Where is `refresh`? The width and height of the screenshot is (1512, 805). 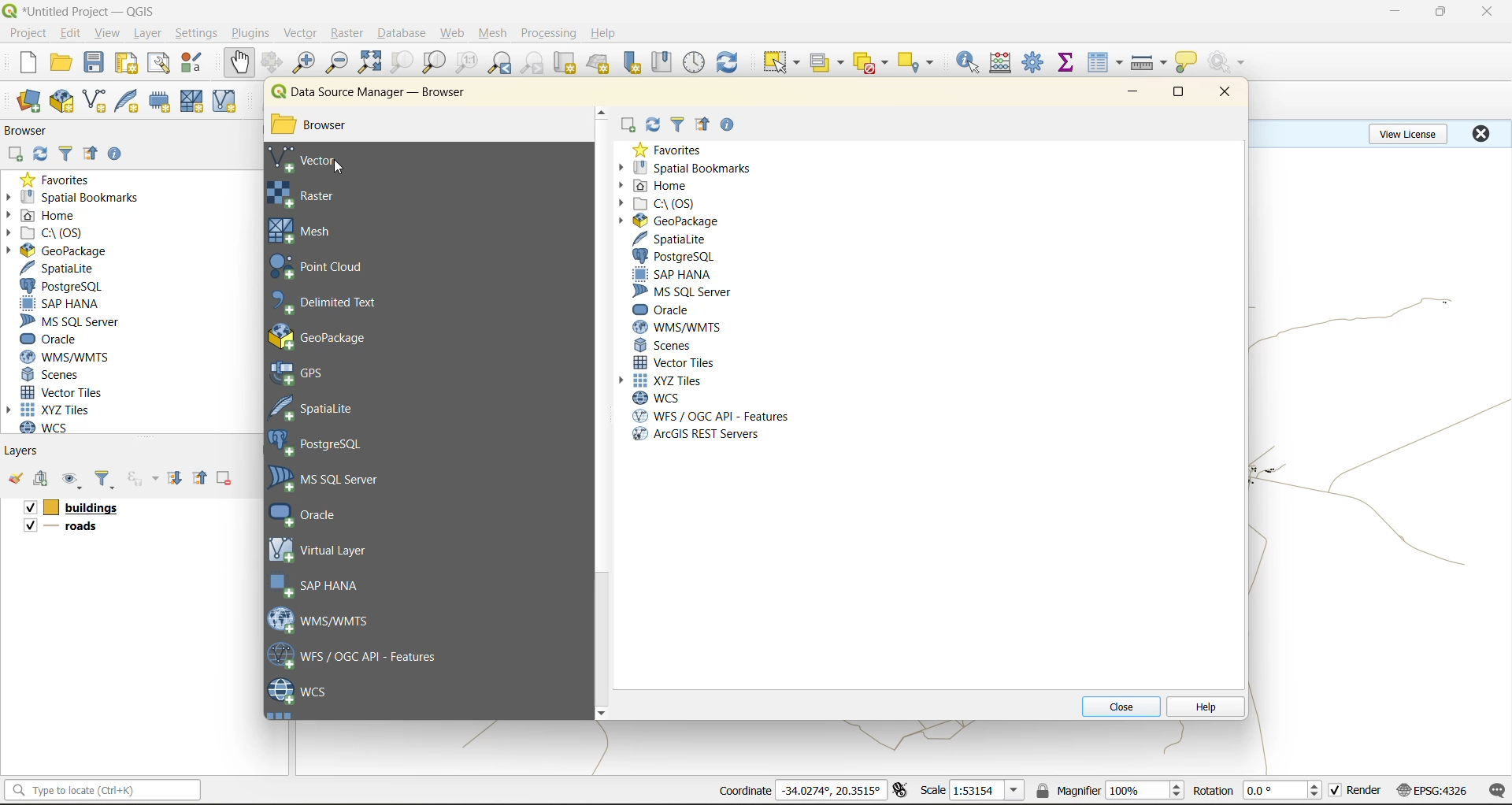 refresh is located at coordinates (653, 124).